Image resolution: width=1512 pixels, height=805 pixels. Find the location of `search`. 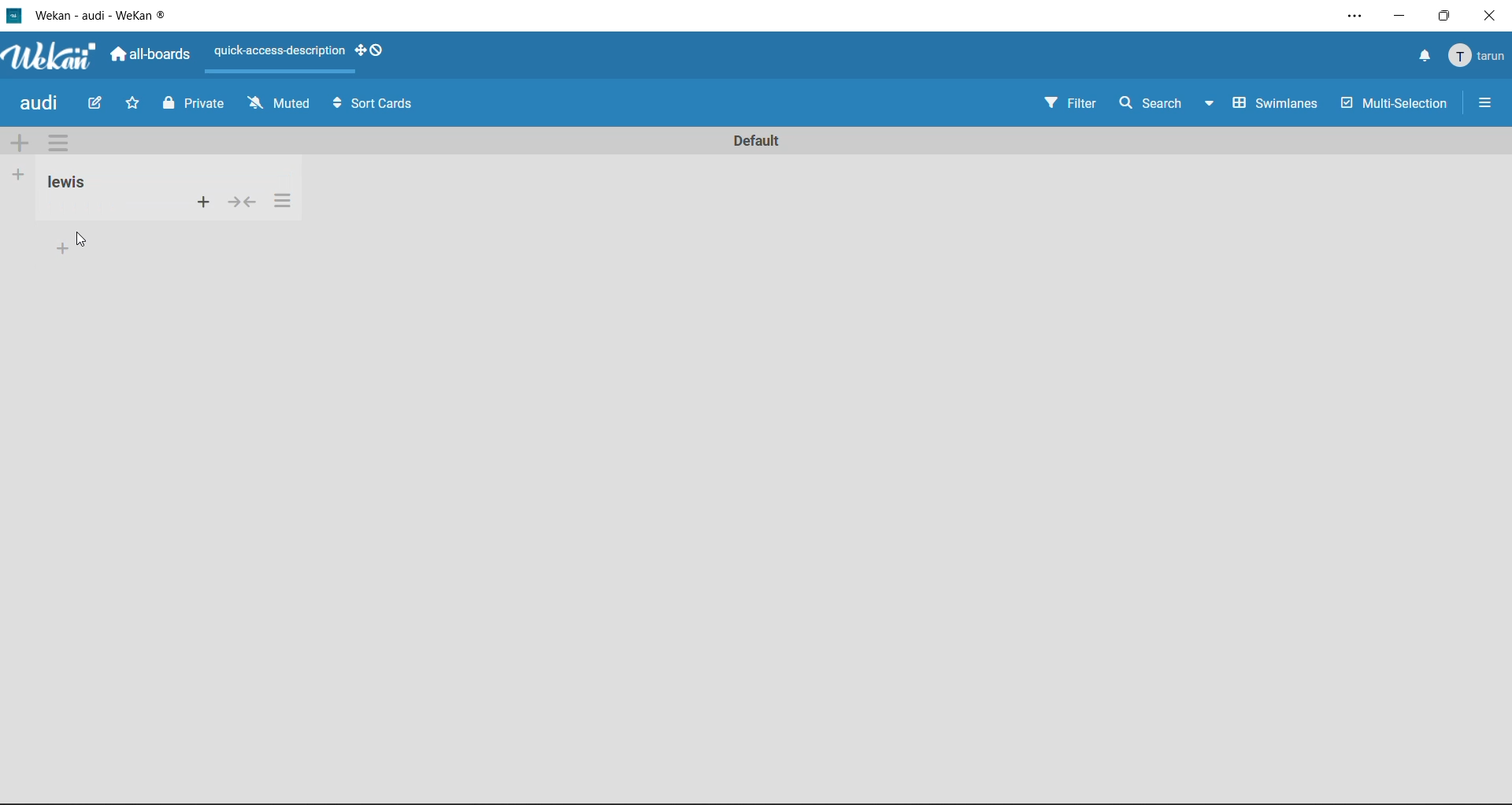

search is located at coordinates (1146, 102).